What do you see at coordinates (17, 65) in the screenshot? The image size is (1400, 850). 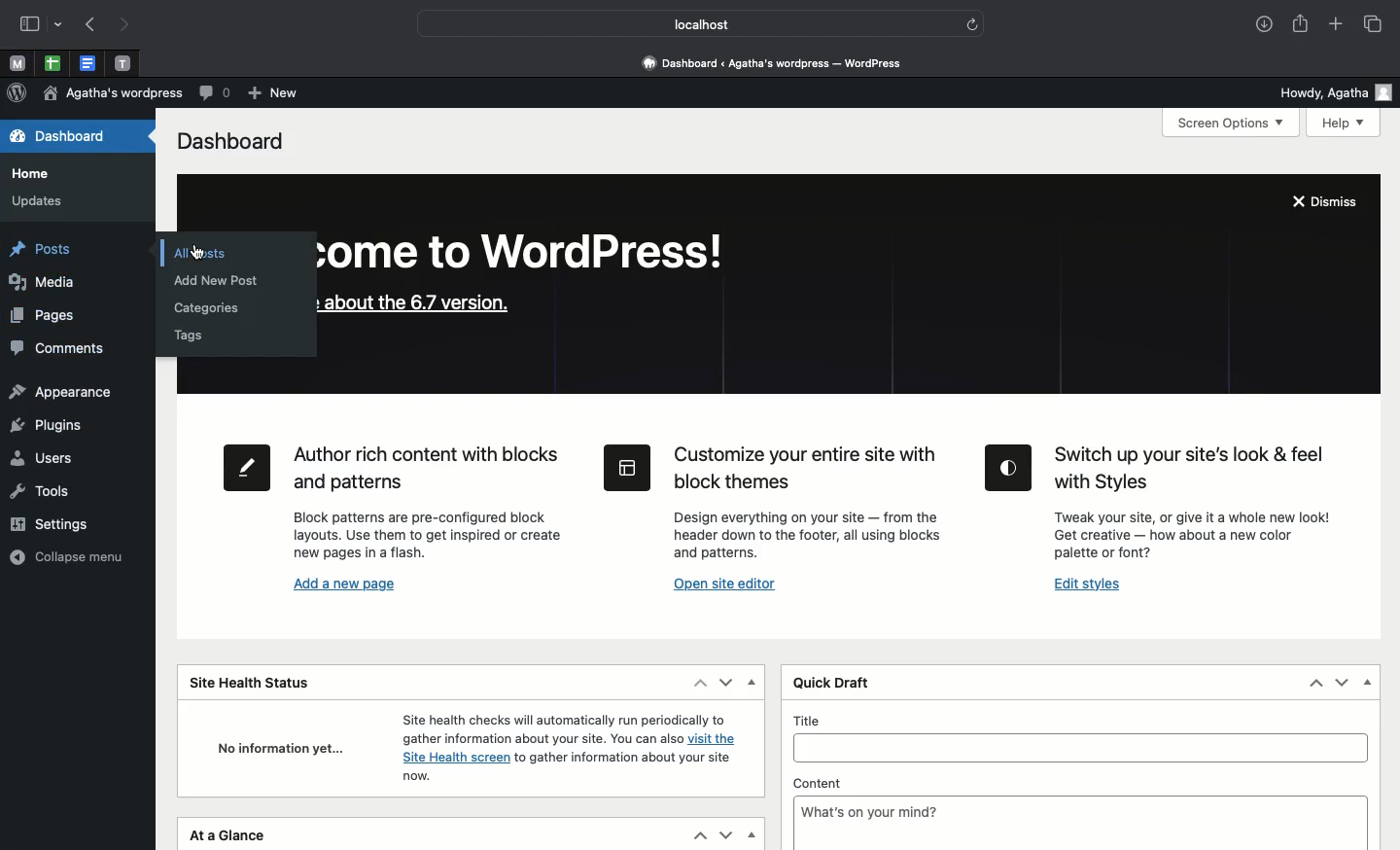 I see `Pinned tab` at bounding box center [17, 65].